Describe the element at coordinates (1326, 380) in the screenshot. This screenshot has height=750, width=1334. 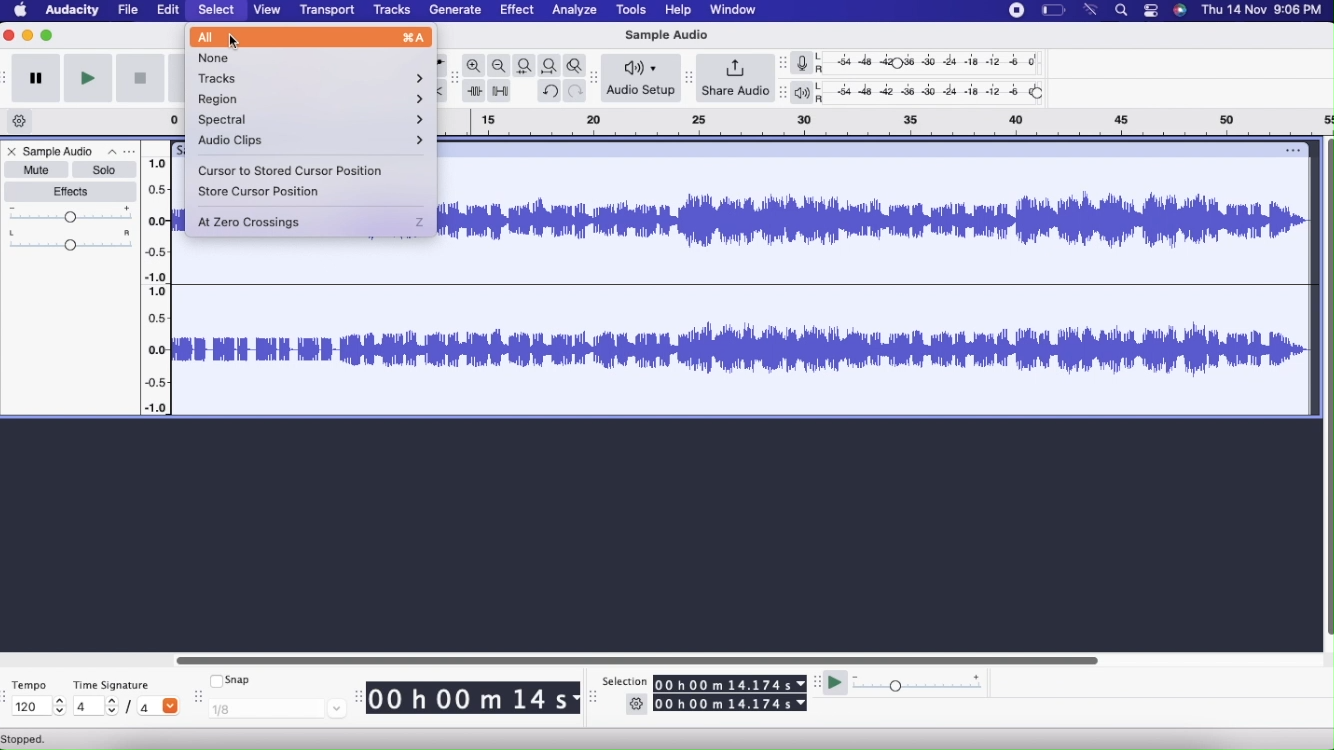
I see `Vertical scroll bar` at that location.